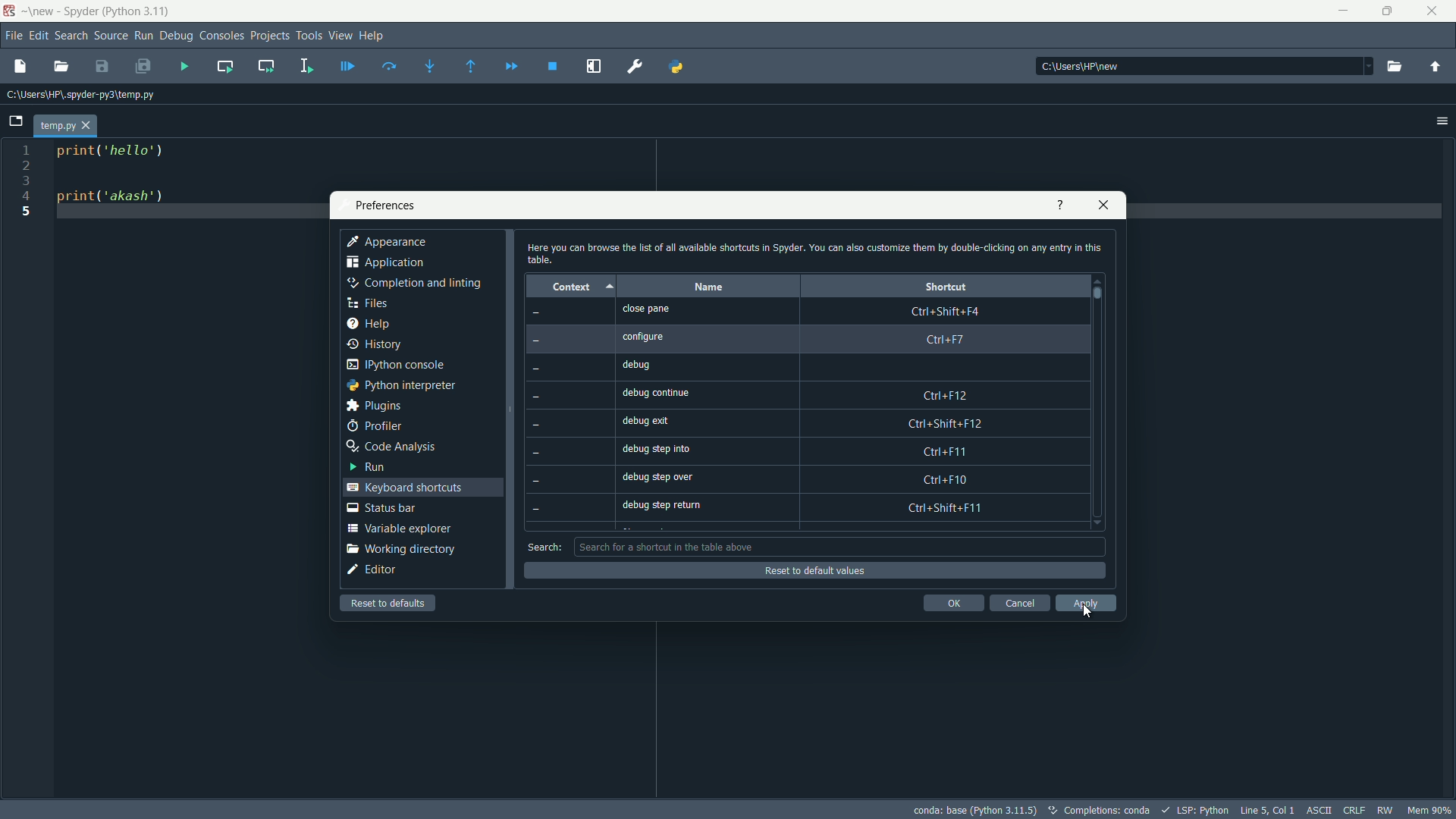 The image size is (1456, 819). I want to click on interpreter, so click(975, 811).